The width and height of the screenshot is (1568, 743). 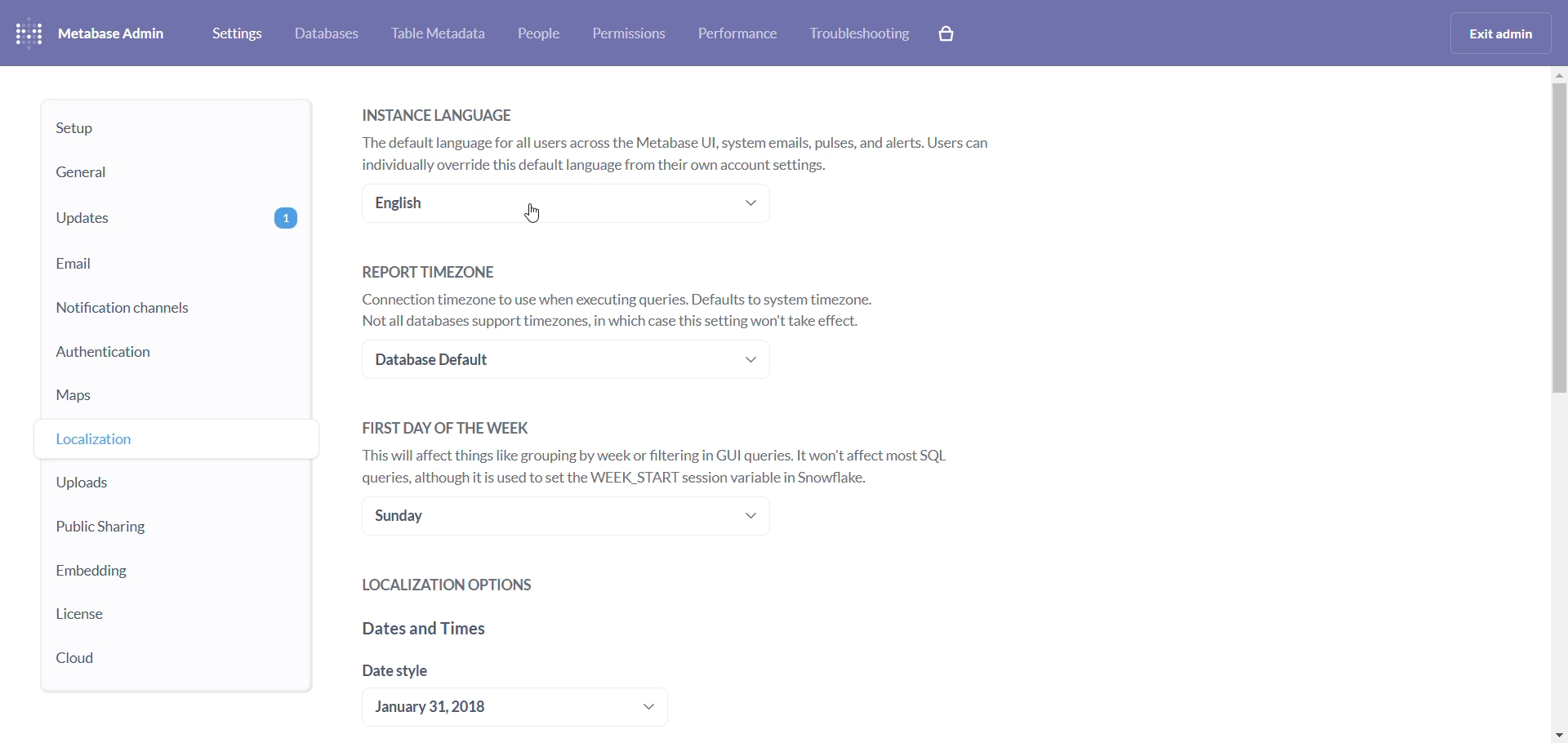 I want to click on people, so click(x=543, y=33).